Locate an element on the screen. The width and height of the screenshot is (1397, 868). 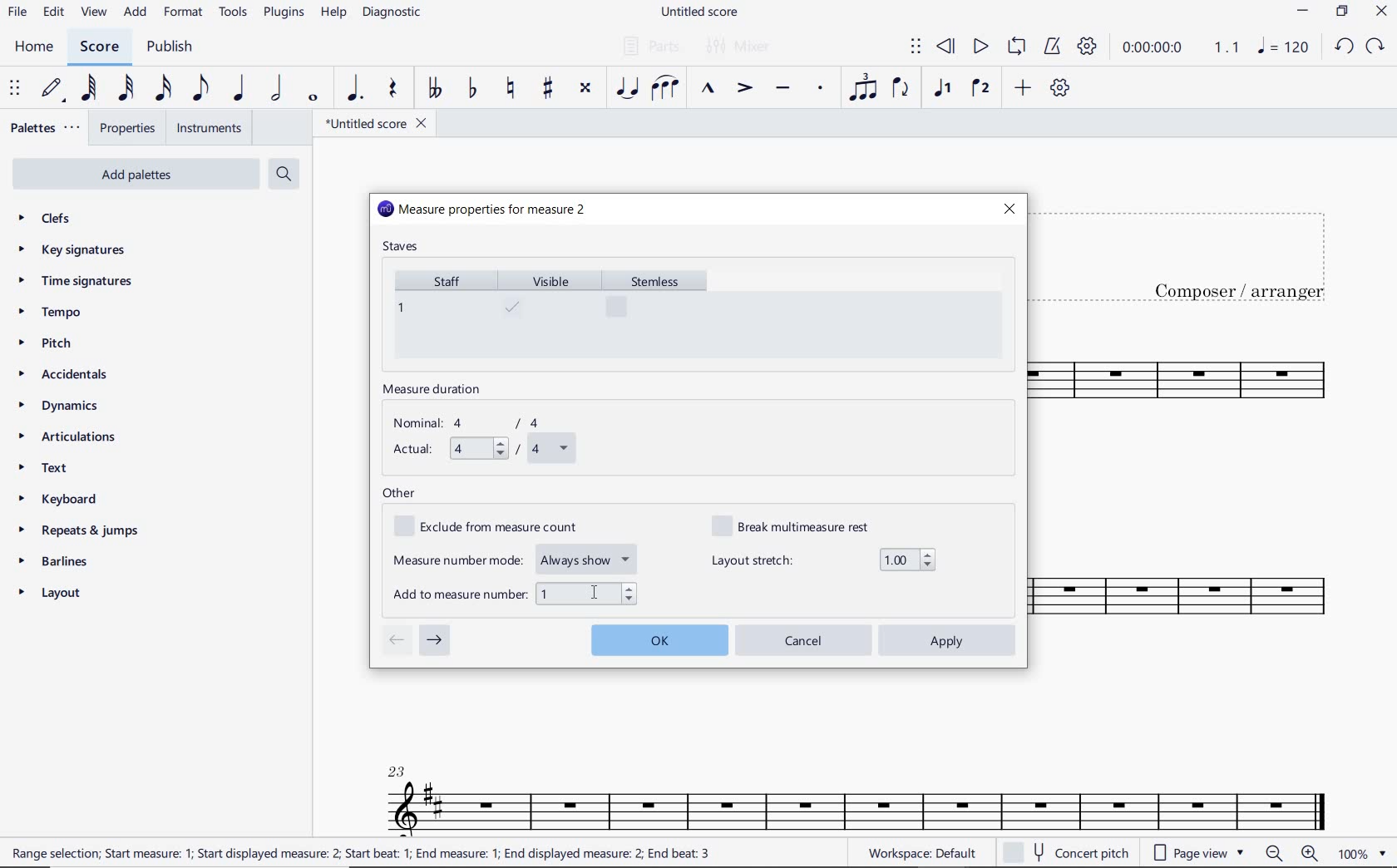
layout stretch is located at coordinates (823, 560).